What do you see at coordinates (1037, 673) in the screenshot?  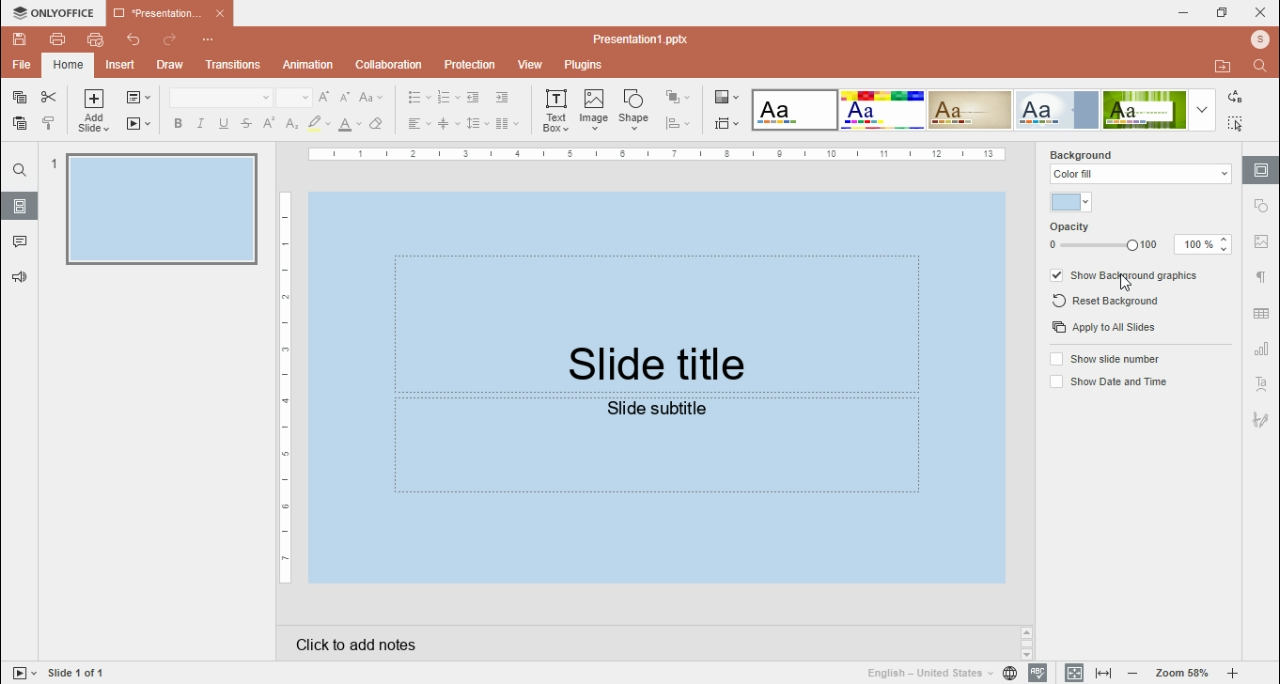 I see `spell check` at bounding box center [1037, 673].